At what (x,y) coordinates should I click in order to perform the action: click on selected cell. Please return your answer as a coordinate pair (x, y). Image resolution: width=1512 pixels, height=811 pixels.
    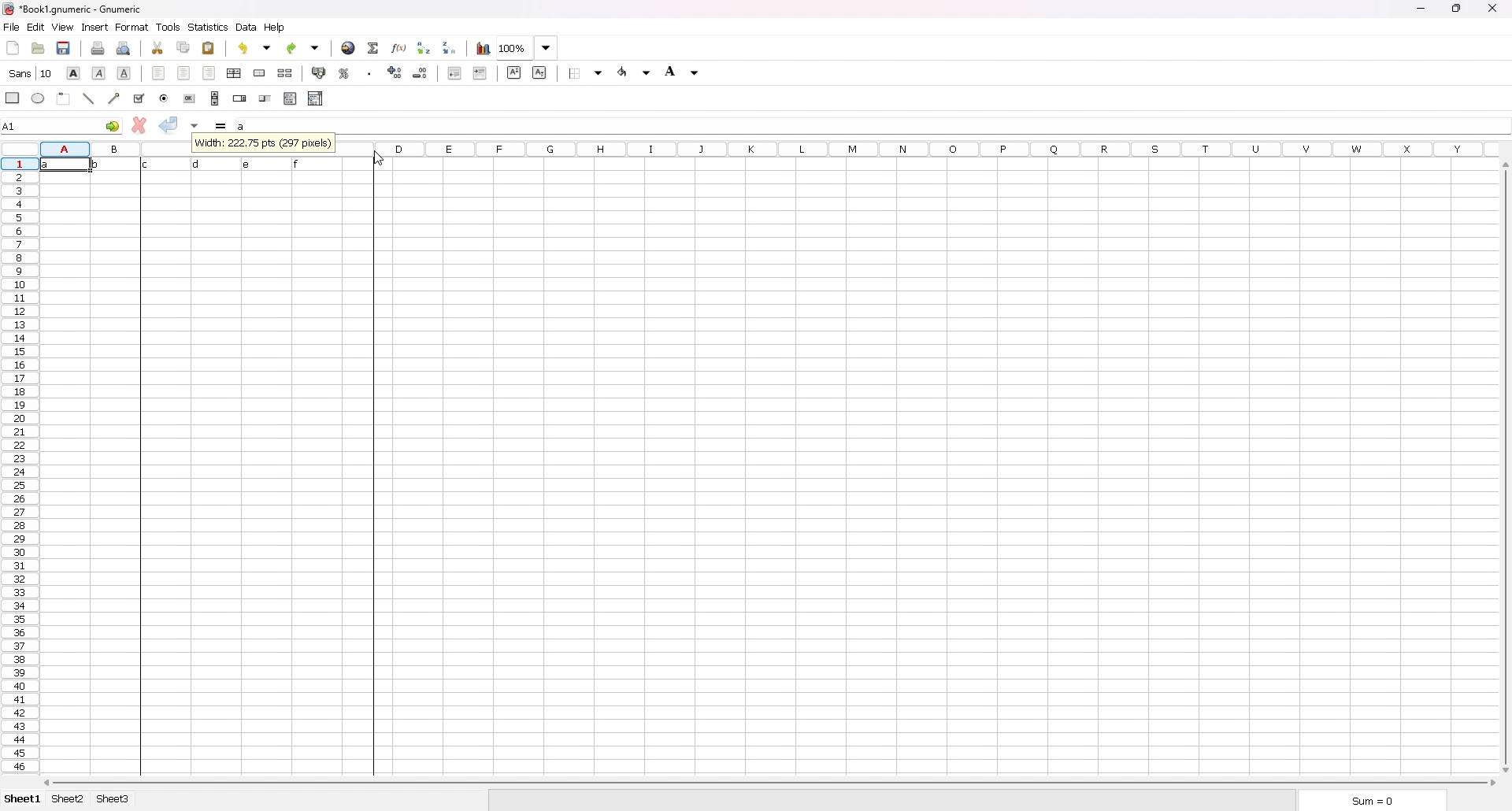
    Looking at the image, I should click on (62, 124).